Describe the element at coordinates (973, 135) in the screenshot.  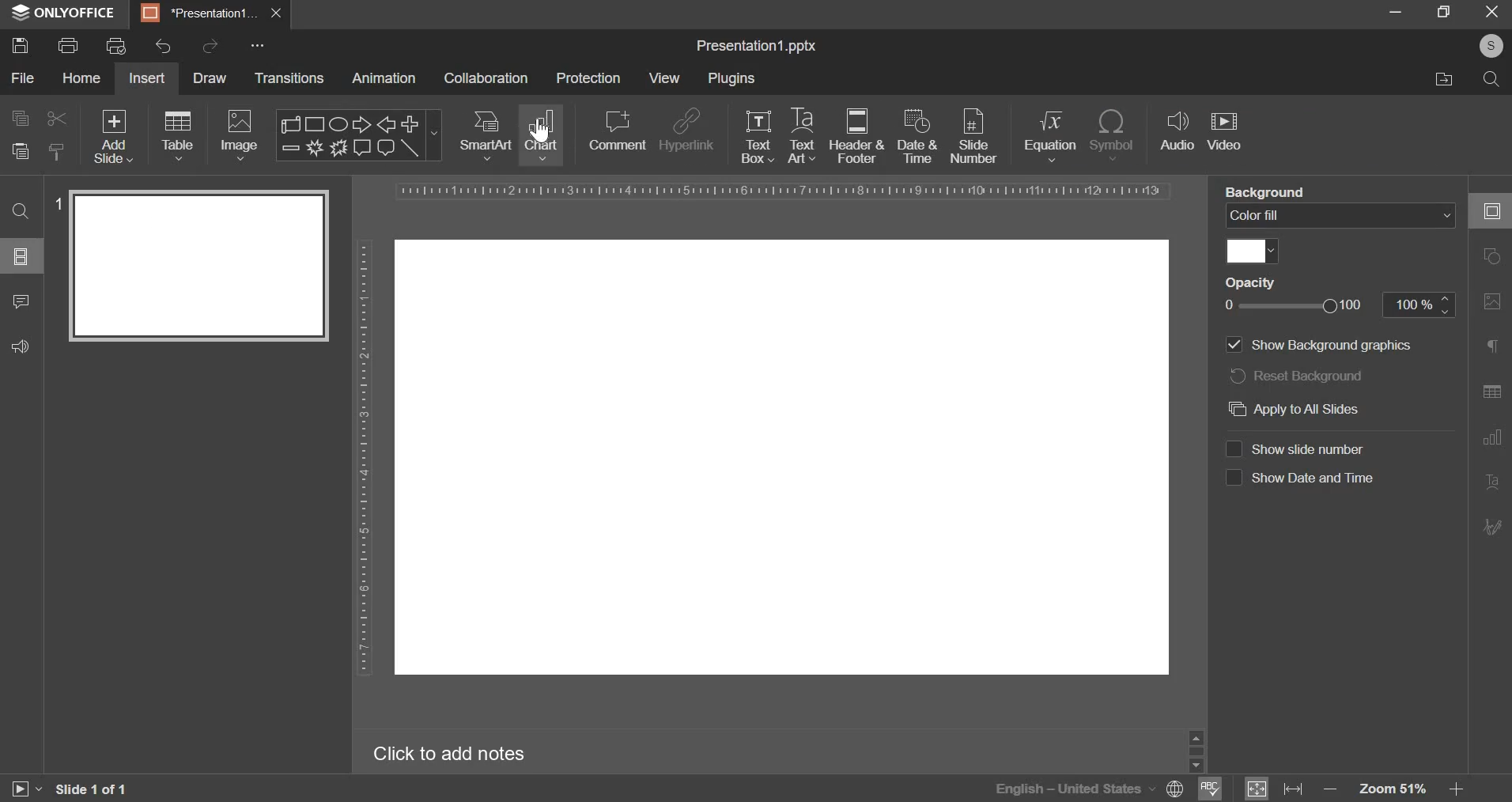
I see `slide number` at that location.